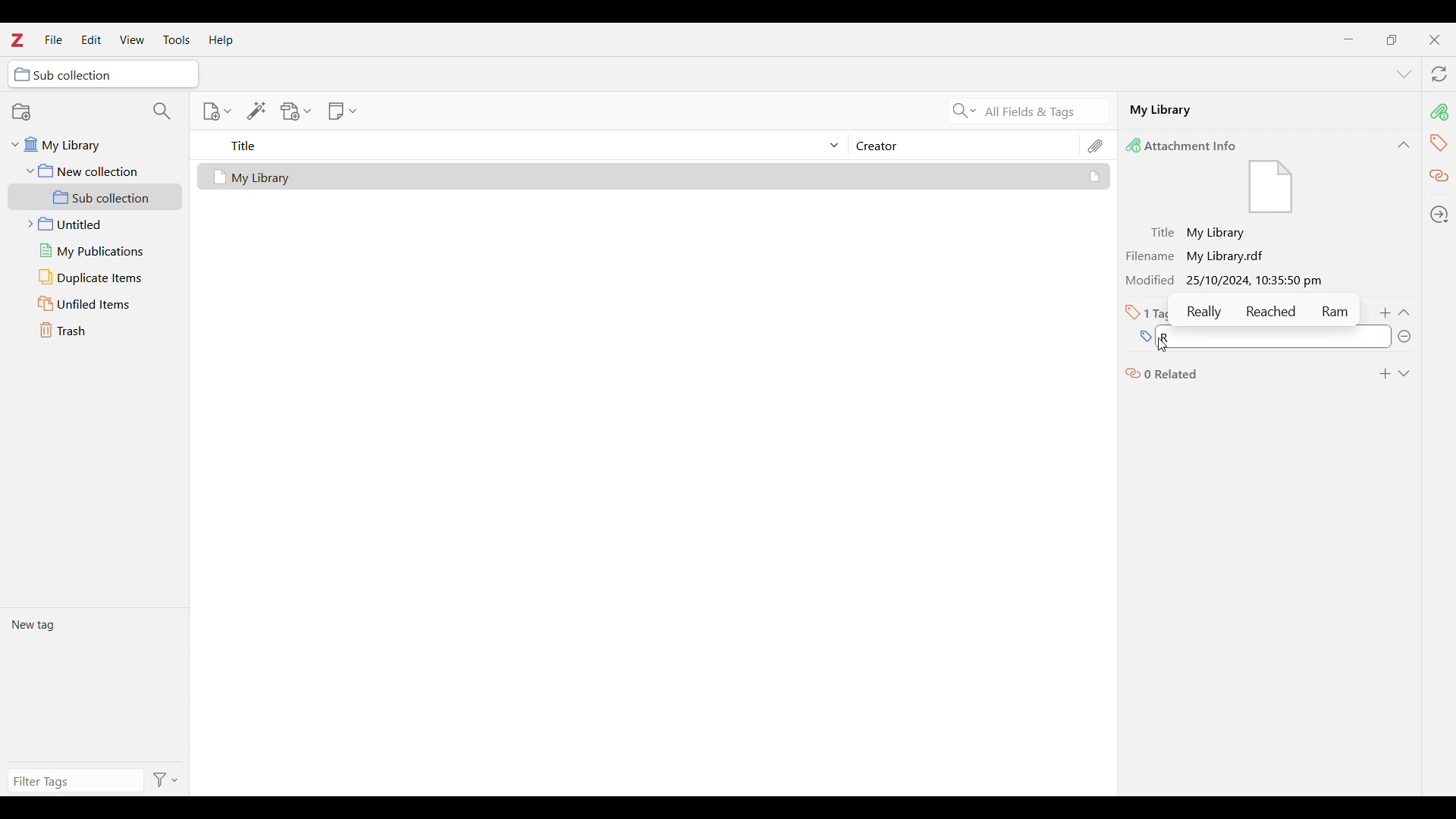  Describe the element at coordinates (133, 39) in the screenshot. I see `View menu` at that location.